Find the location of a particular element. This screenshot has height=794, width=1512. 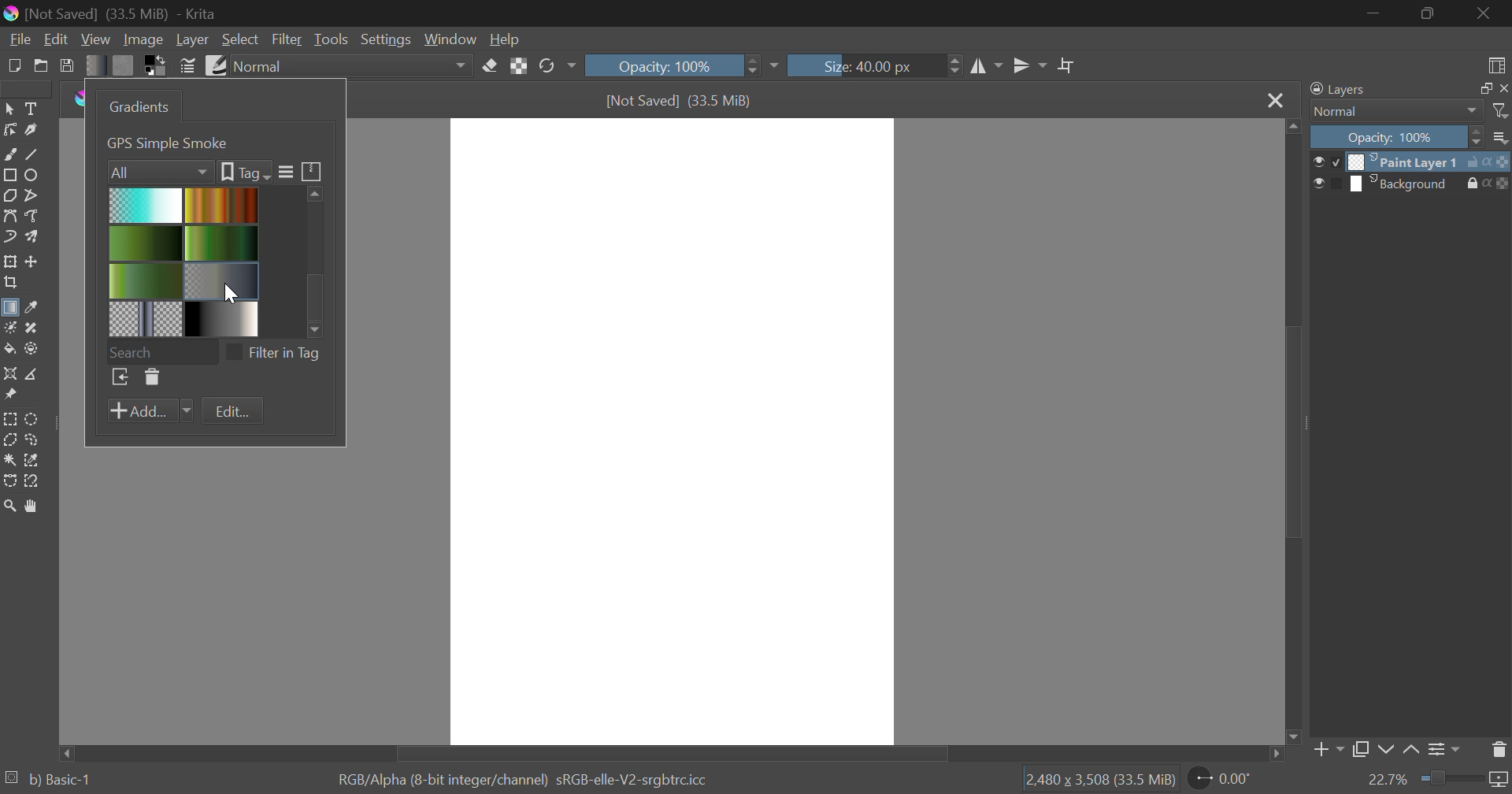

Rotate is located at coordinates (557, 67).